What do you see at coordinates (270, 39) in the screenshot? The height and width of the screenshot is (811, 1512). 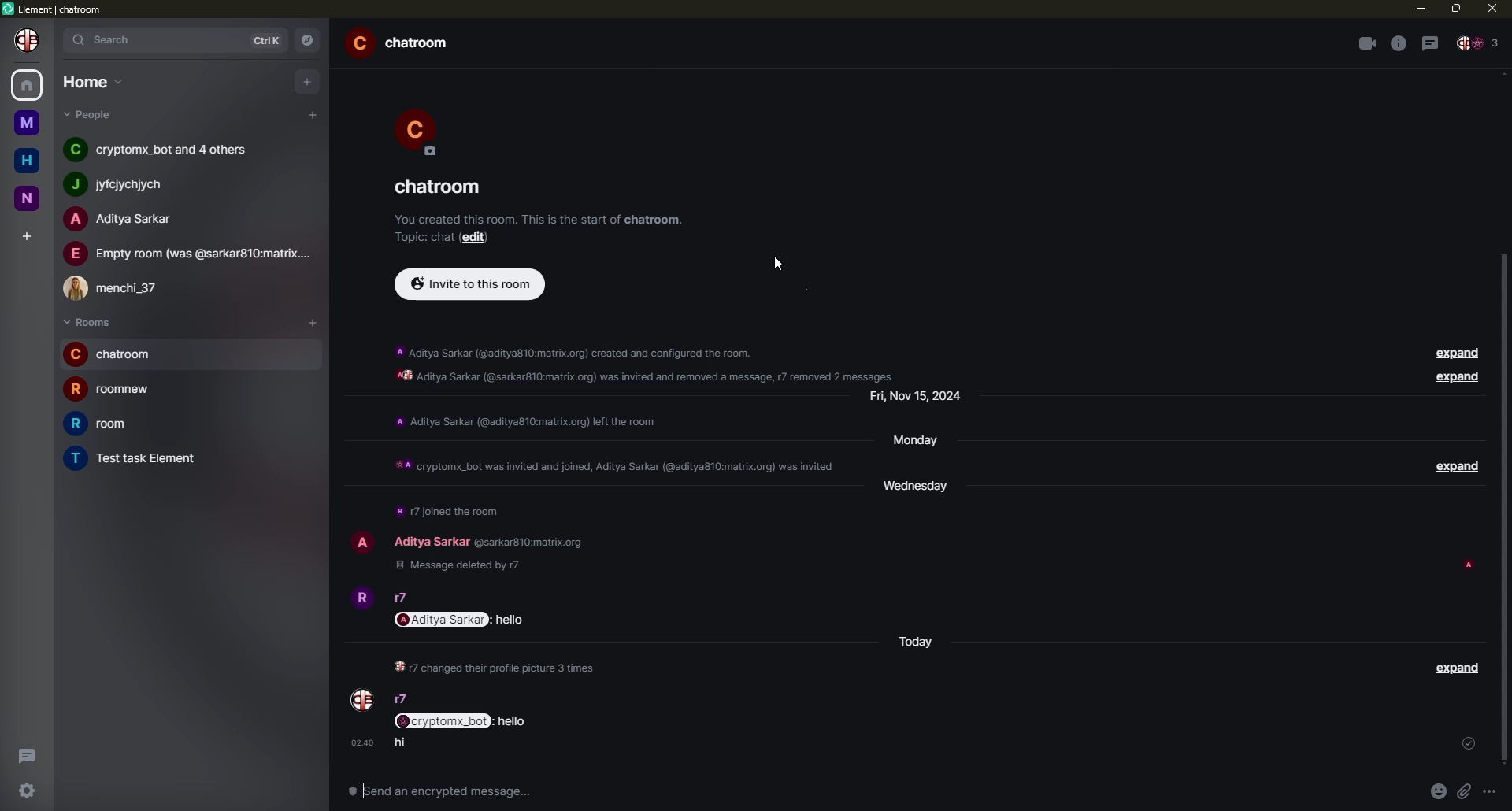 I see `ctrlK` at bounding box center [270, 39].